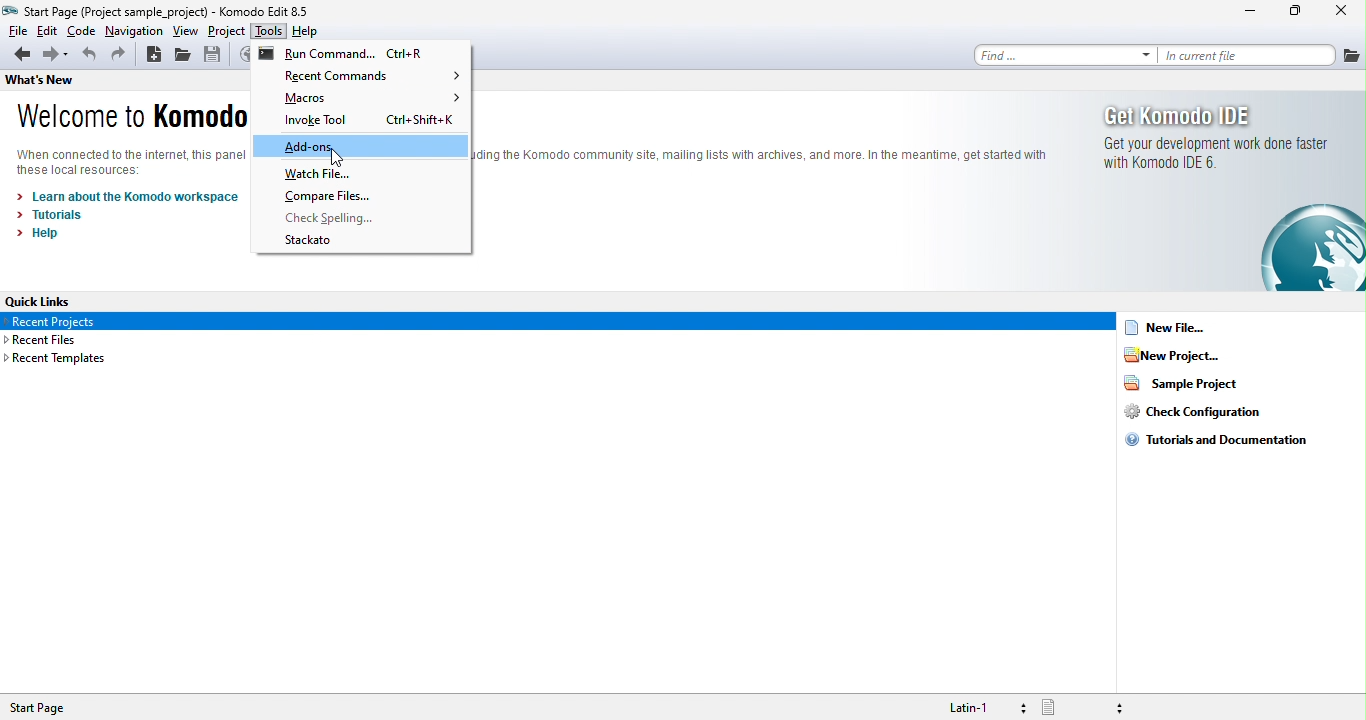 The height and width of the screenshot is (720, 1366). I want to click on in current file, so click(1247, 56).